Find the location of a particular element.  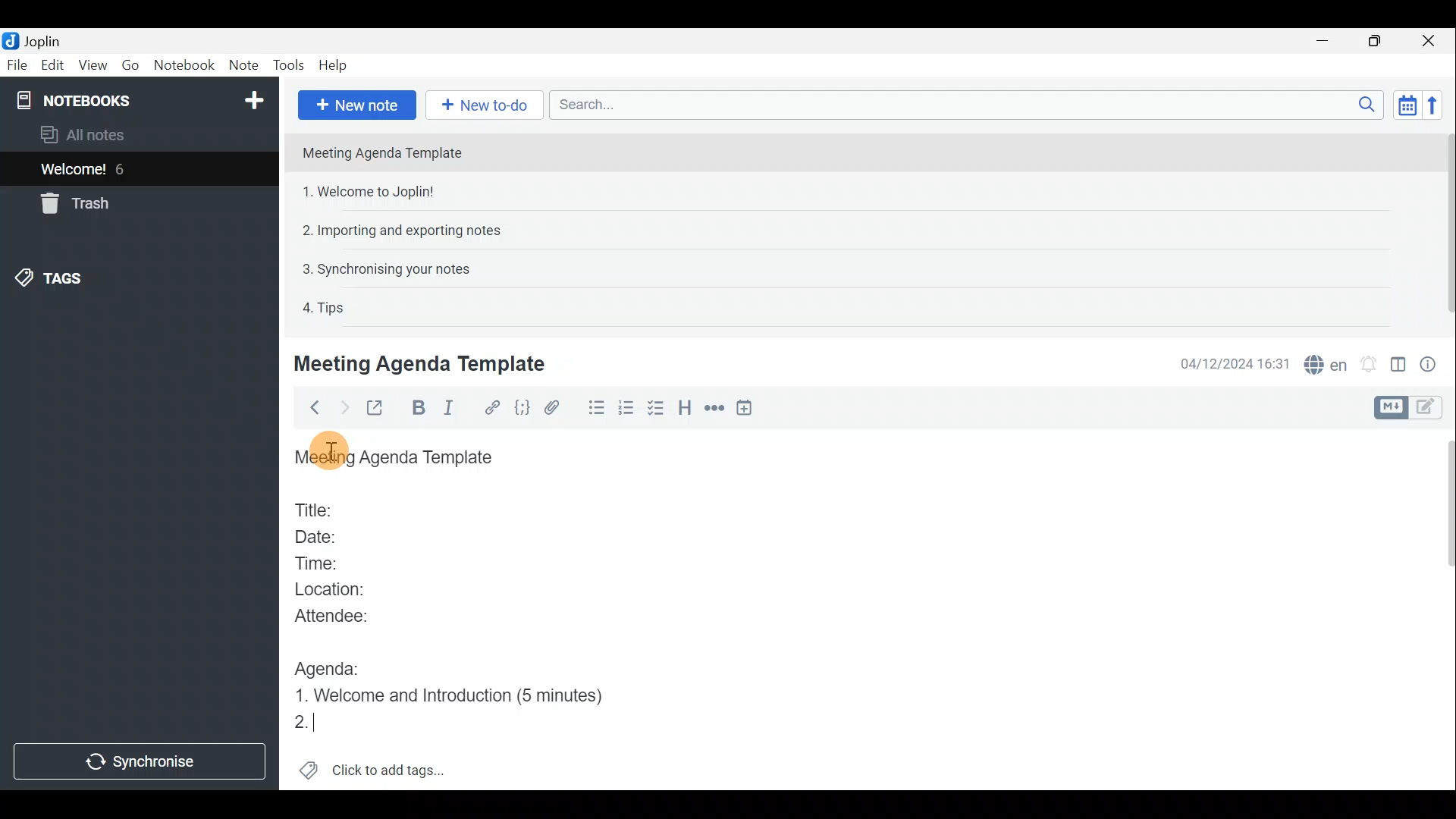

Click to add tags is located at coordinates (393, 767).